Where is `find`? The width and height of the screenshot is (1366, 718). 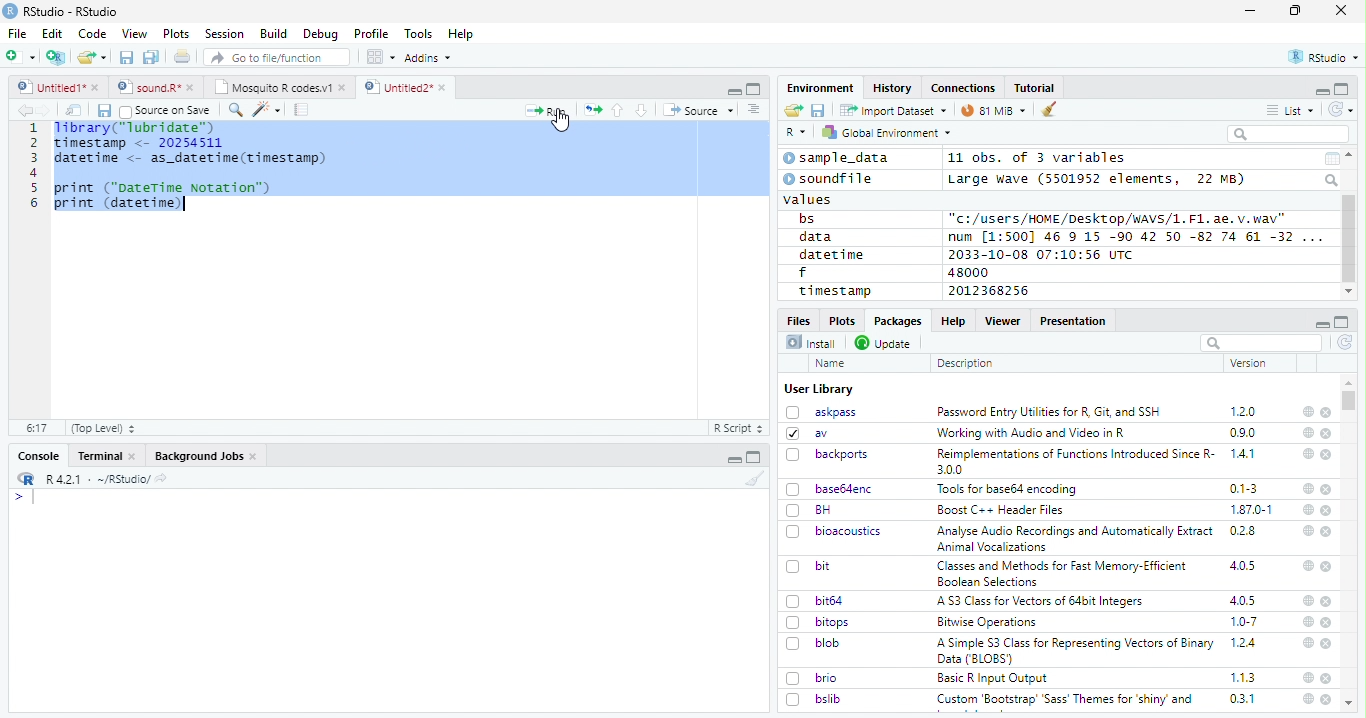
find is located at coordinates (233, 108).